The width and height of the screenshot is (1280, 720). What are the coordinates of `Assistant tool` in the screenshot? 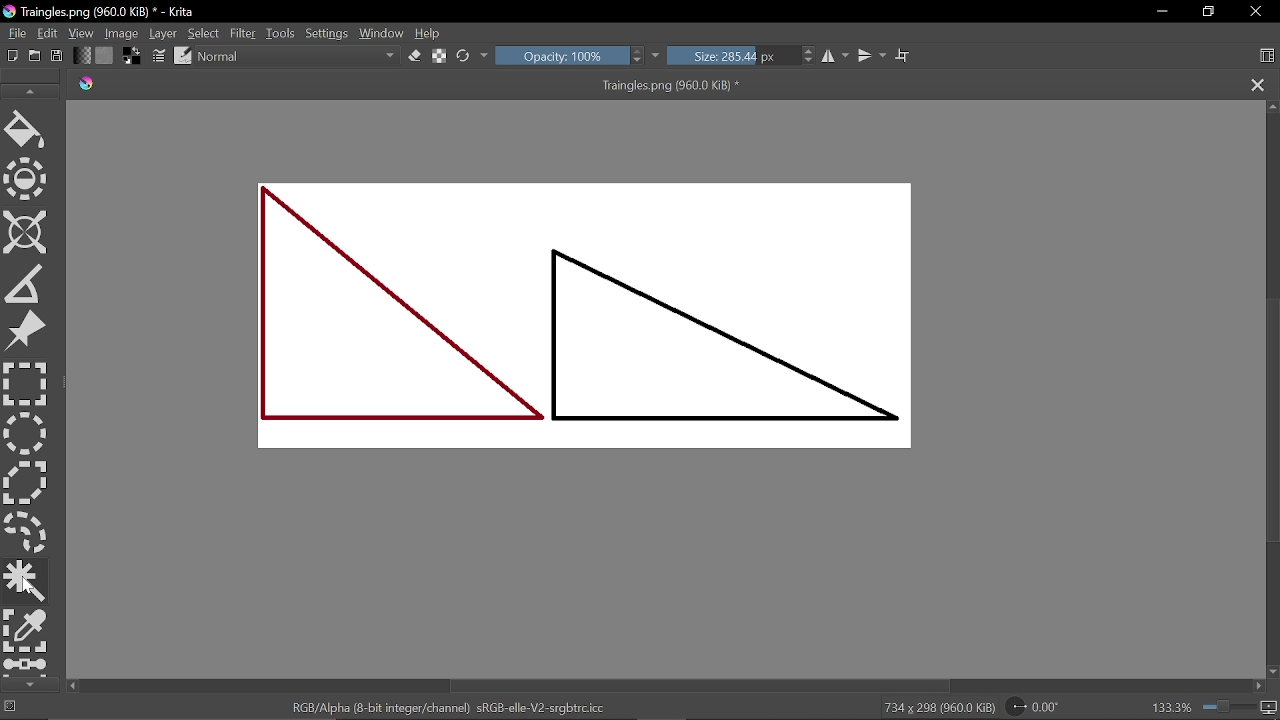 It's located at (25, 234).